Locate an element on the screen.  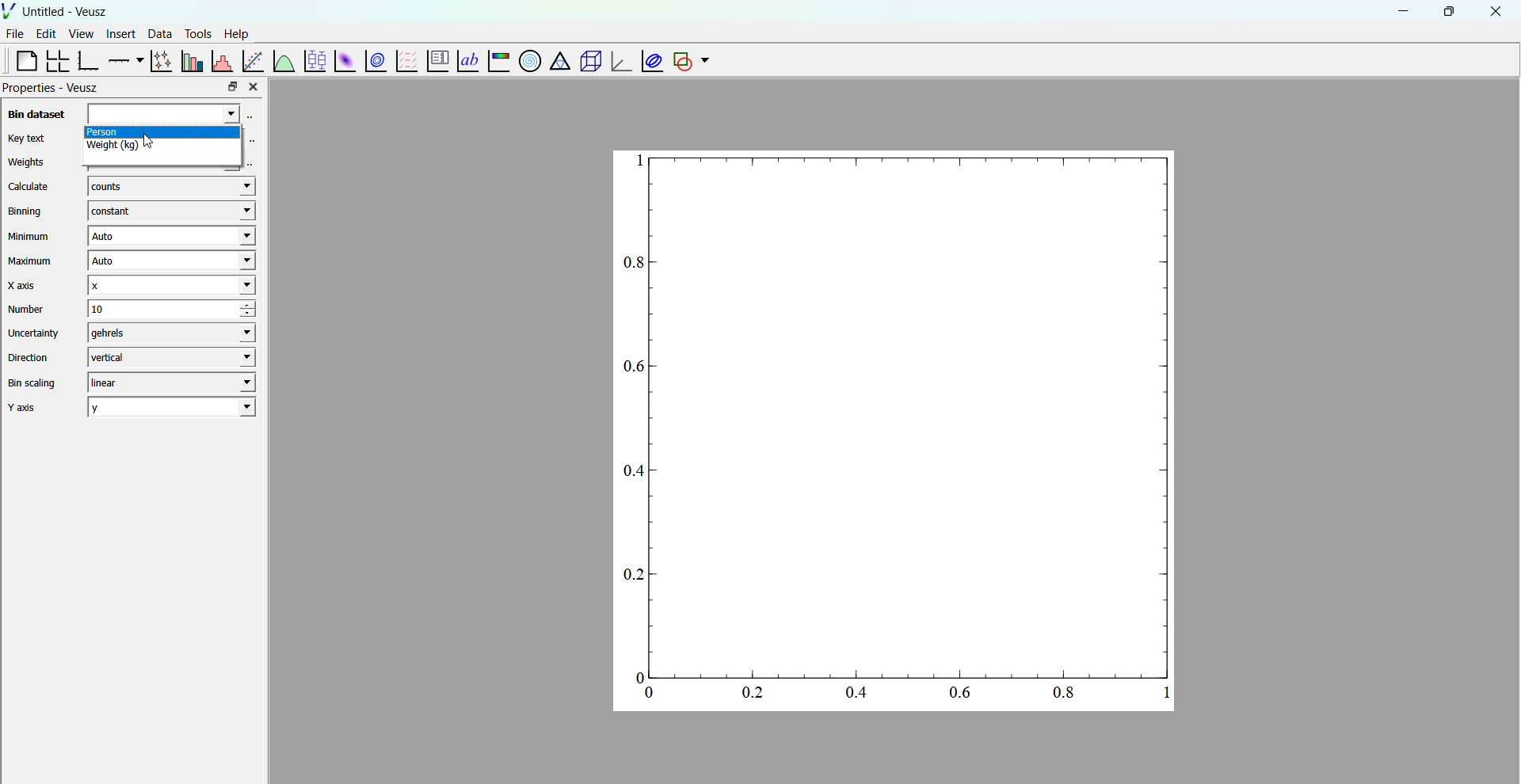
edit is located at coordinates (48, 34).